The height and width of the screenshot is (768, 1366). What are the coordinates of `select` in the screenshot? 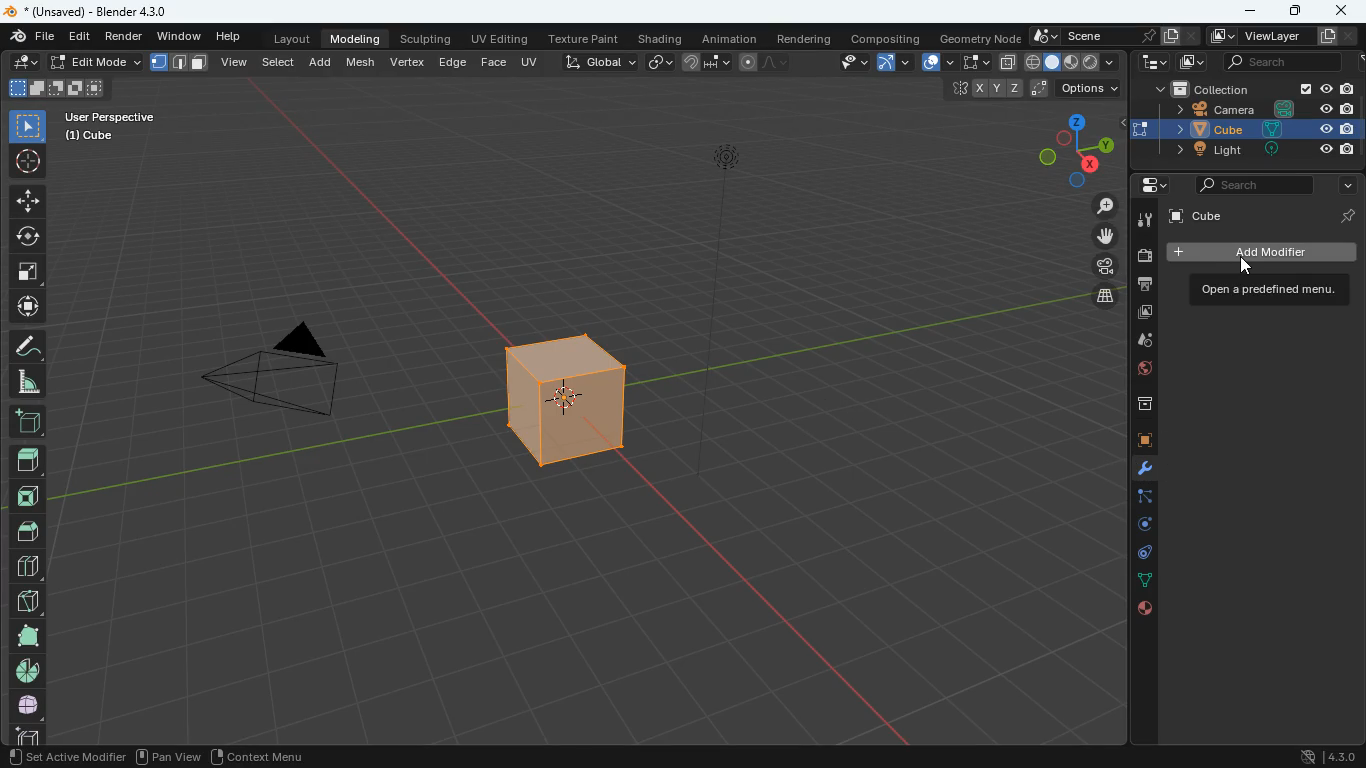 It's located at (28, 124).